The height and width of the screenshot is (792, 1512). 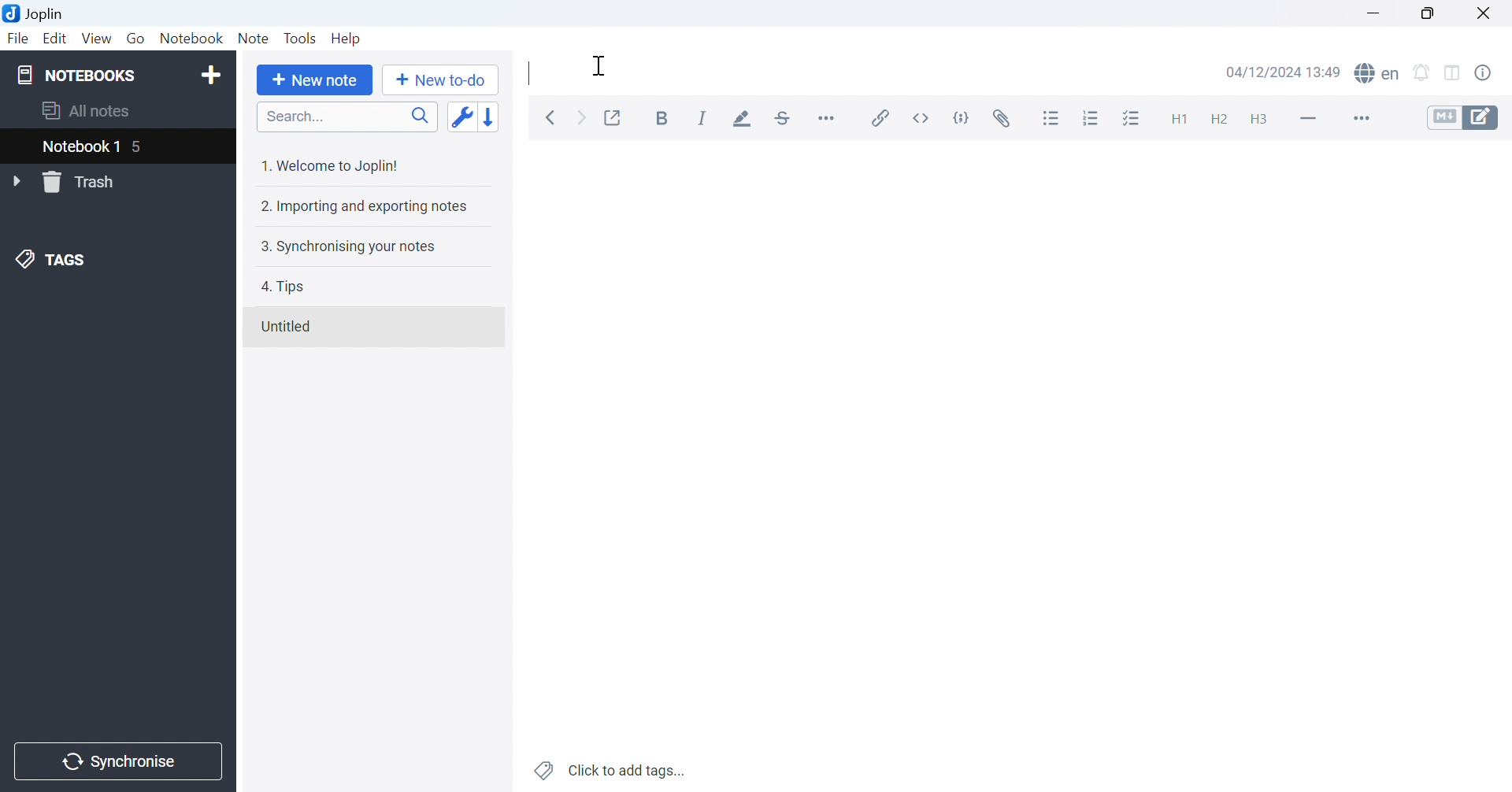 I want to click on Cursor, so click(x=601, y=67).